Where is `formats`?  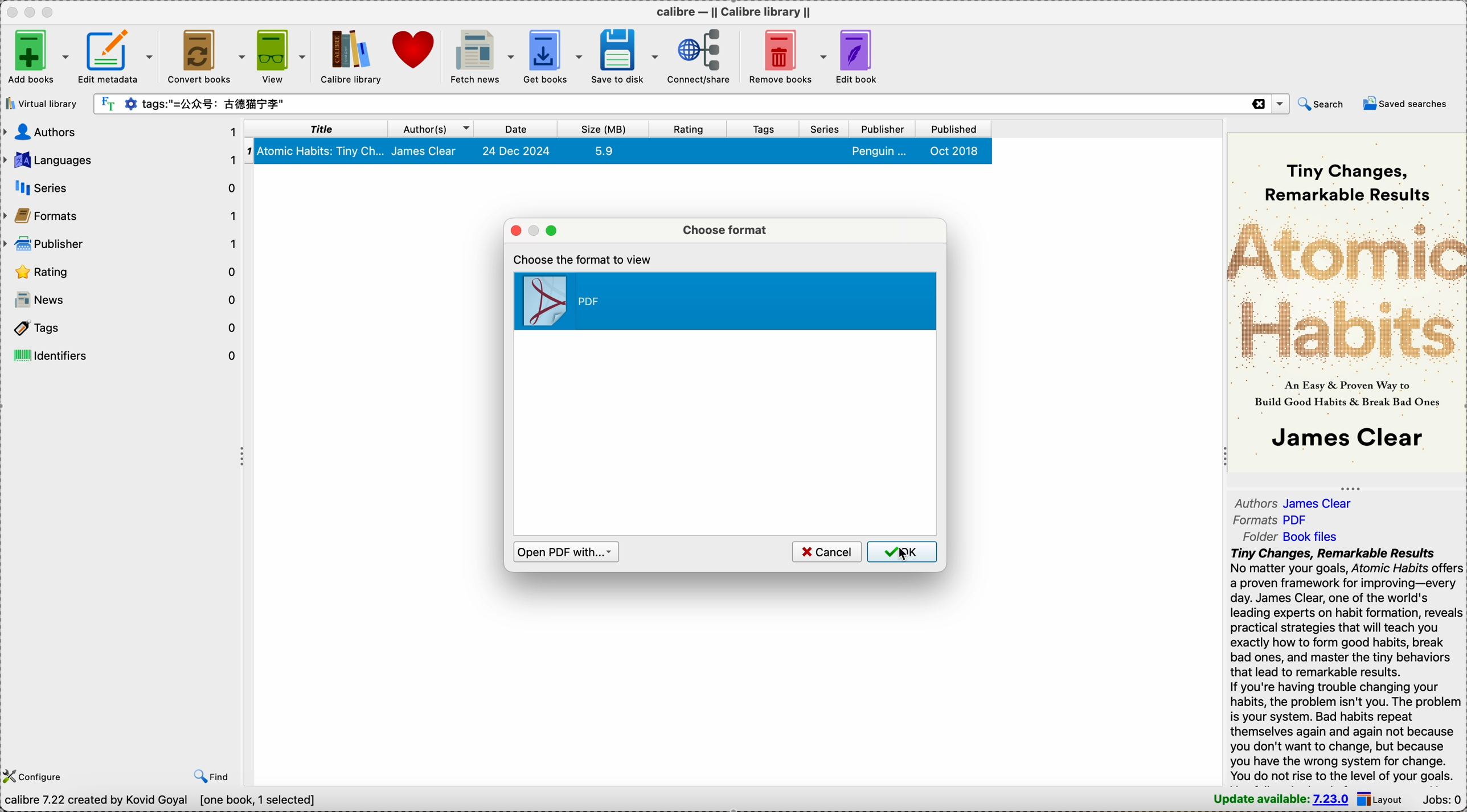 formats is located at coordinates (1271, 522).